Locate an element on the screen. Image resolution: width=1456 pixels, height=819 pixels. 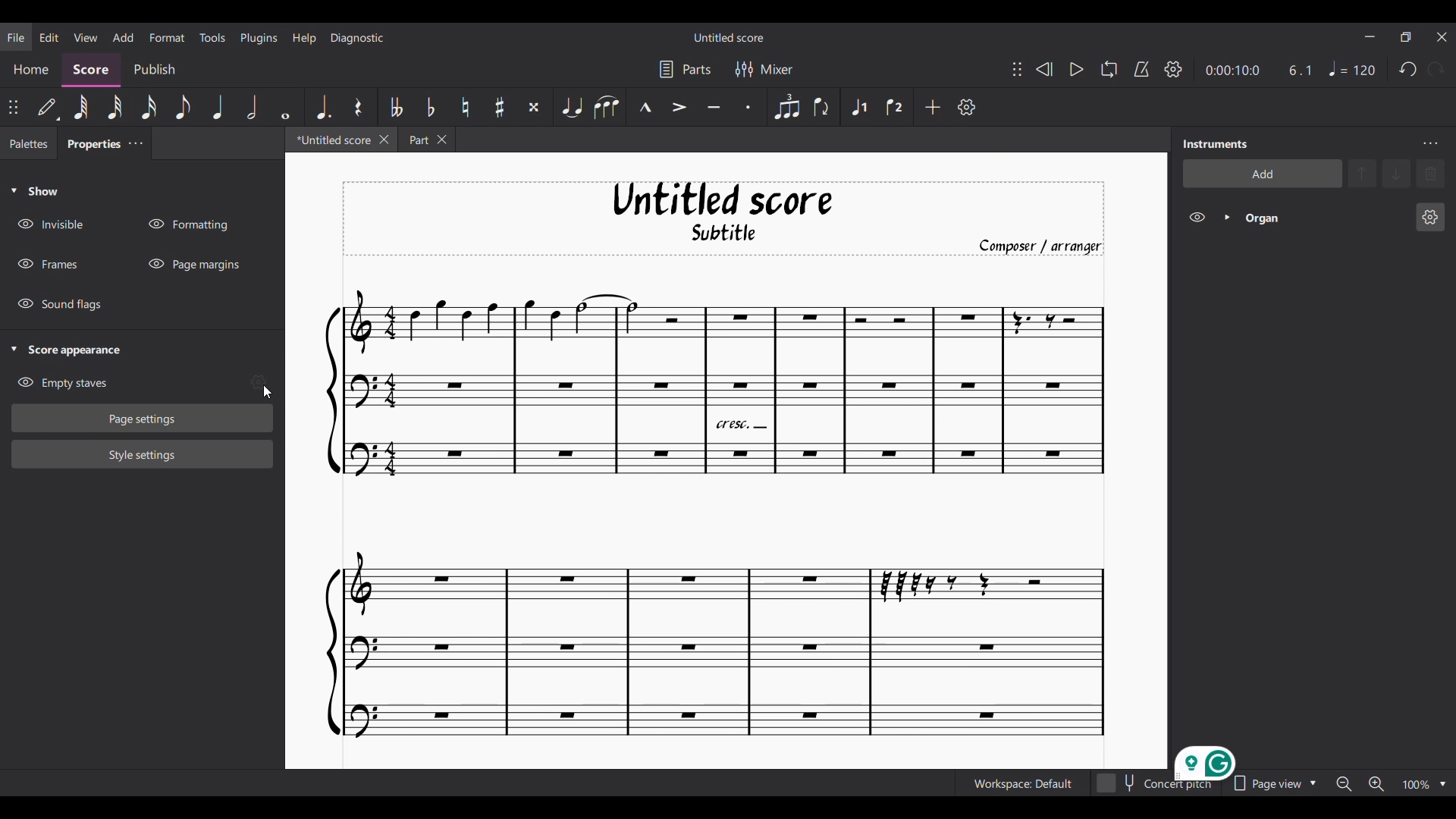
Tools menu is located at coordinates (212, 36).